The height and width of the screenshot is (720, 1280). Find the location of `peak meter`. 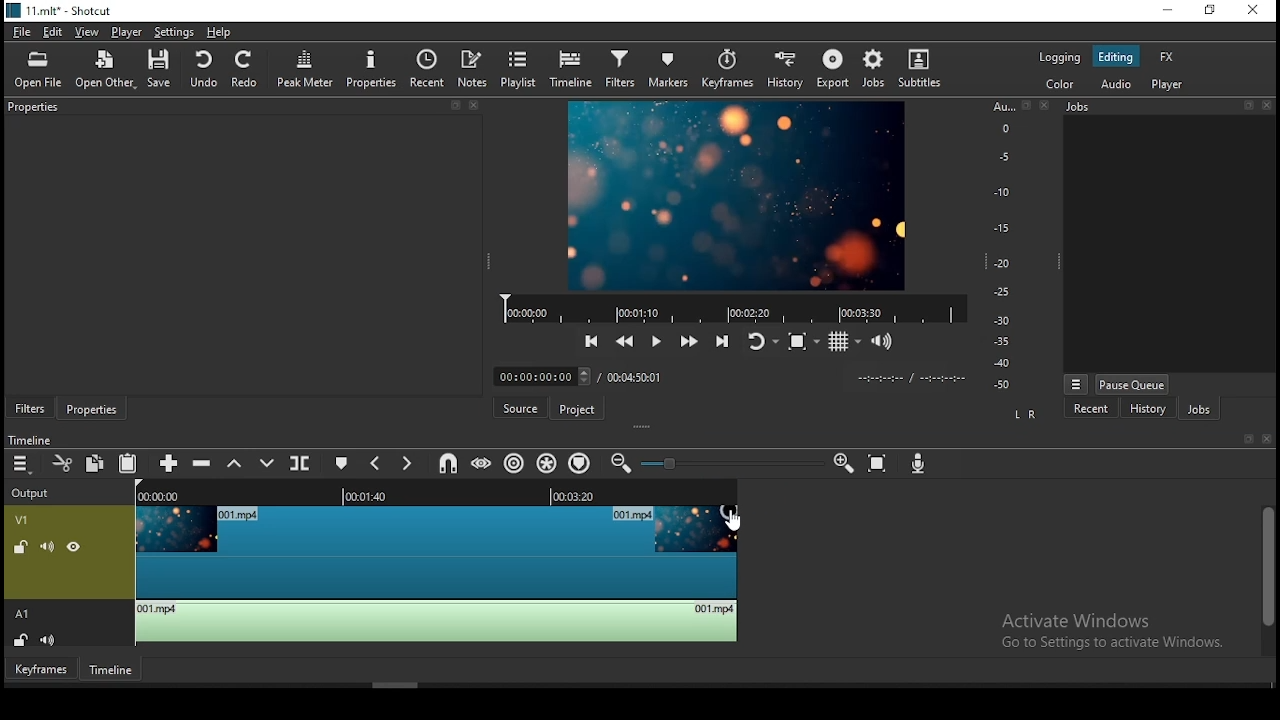

peak meter is located at coordinates (304, 69).